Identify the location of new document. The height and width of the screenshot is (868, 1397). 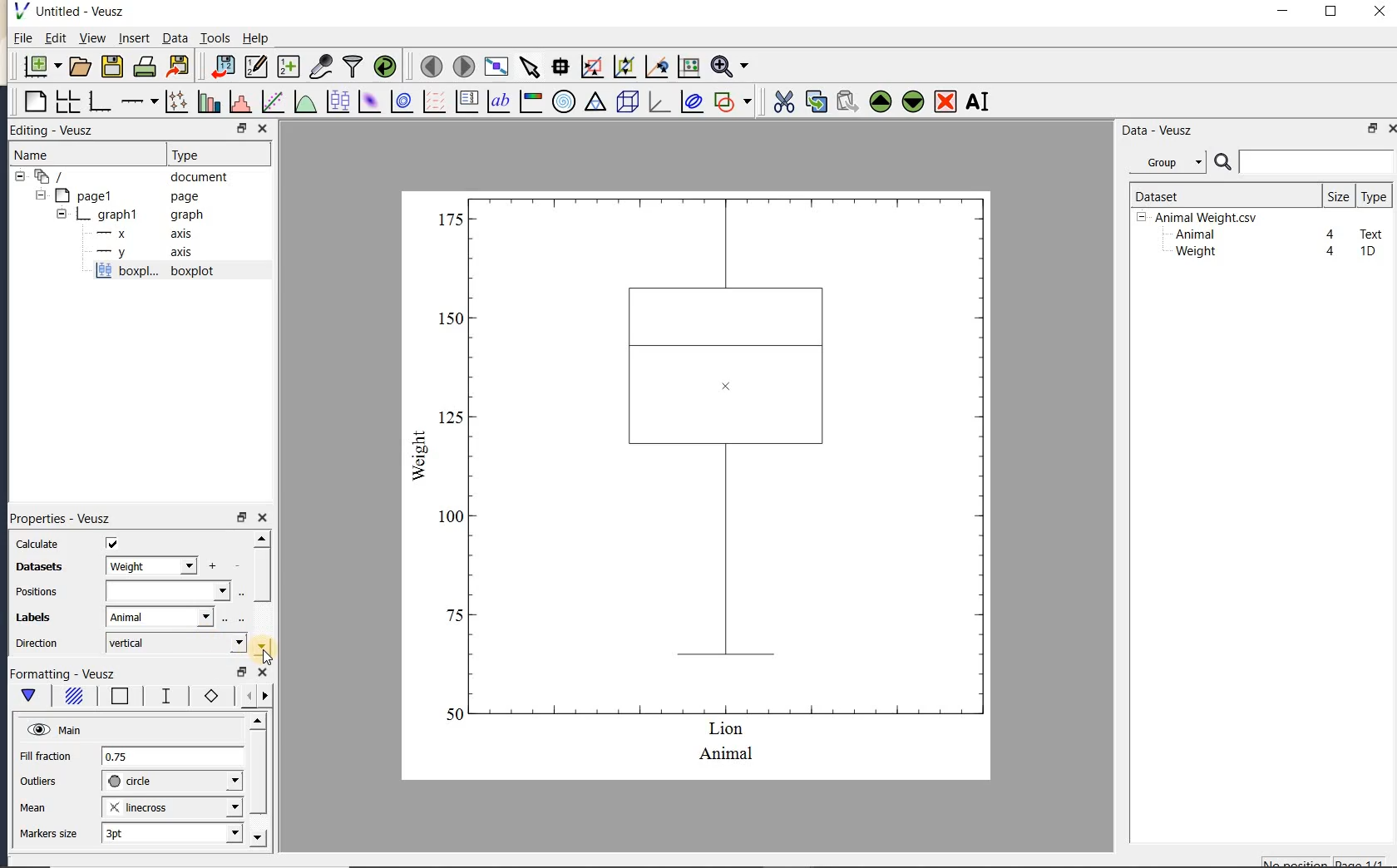
(38, 67).